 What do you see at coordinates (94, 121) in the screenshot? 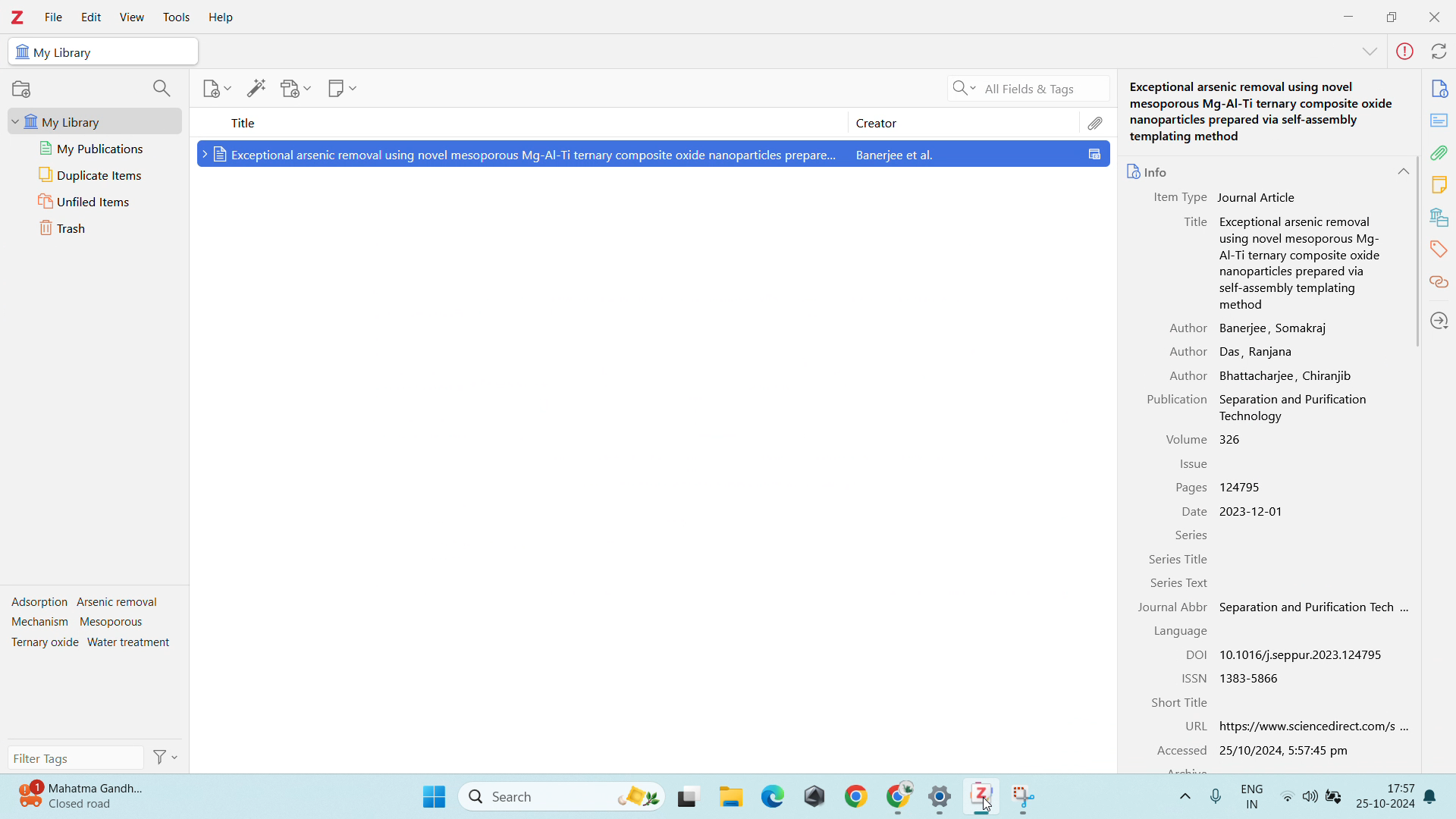
I see `my library` at bounding box center [94, 121].